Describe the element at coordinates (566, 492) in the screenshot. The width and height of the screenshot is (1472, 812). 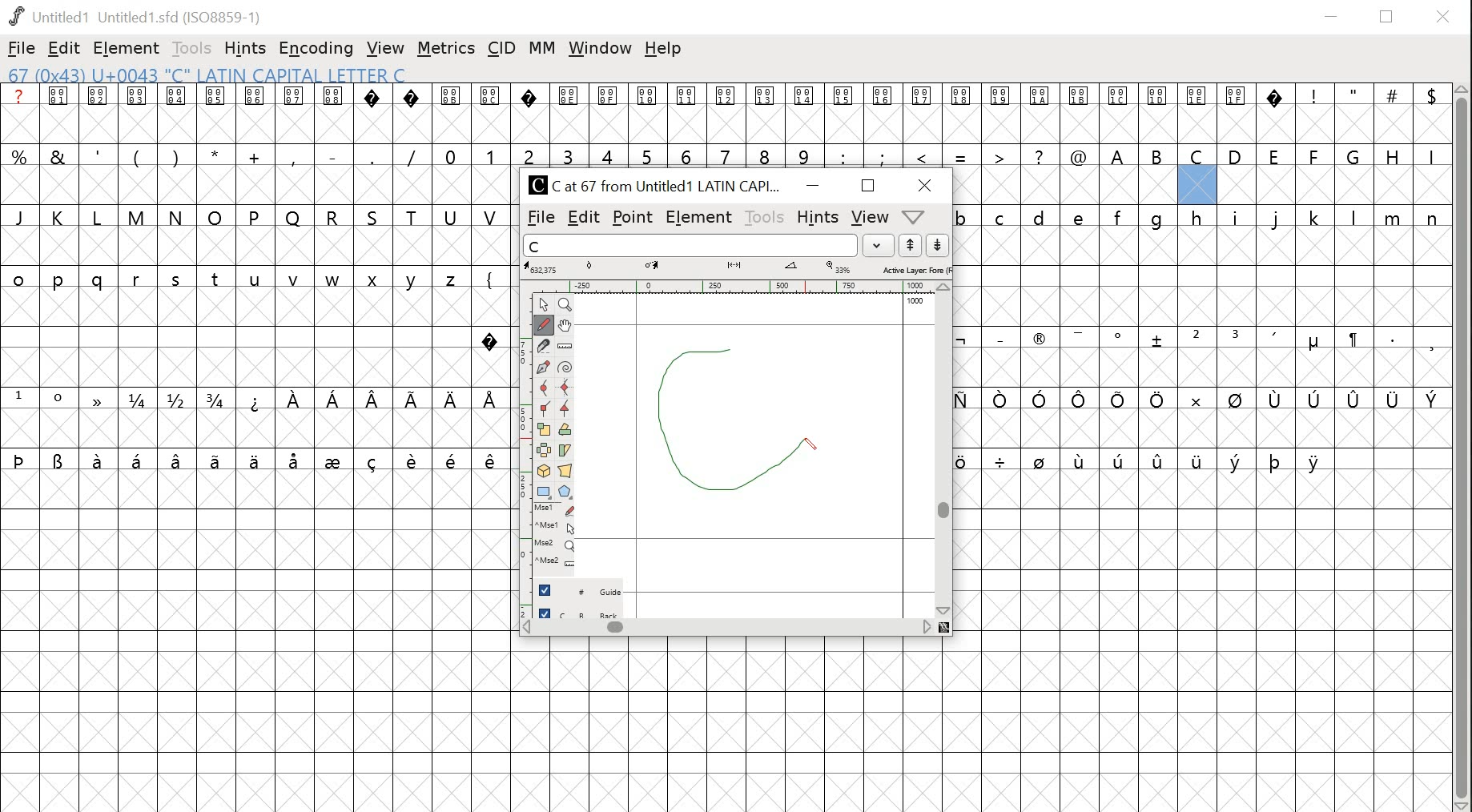
I see `polygon/star` at that location.